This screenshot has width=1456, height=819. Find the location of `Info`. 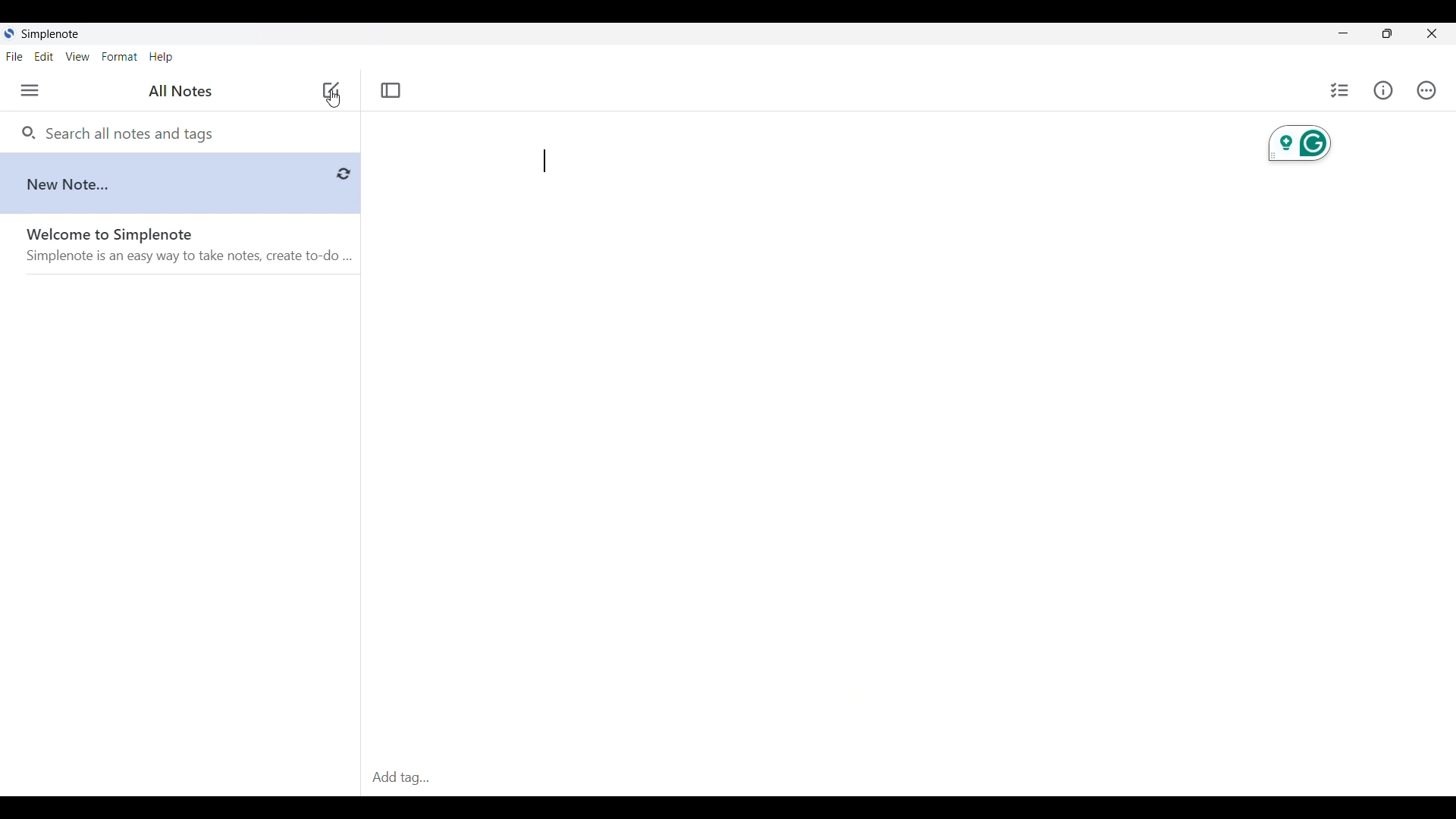

Info is located at coordinates (1383, 90).